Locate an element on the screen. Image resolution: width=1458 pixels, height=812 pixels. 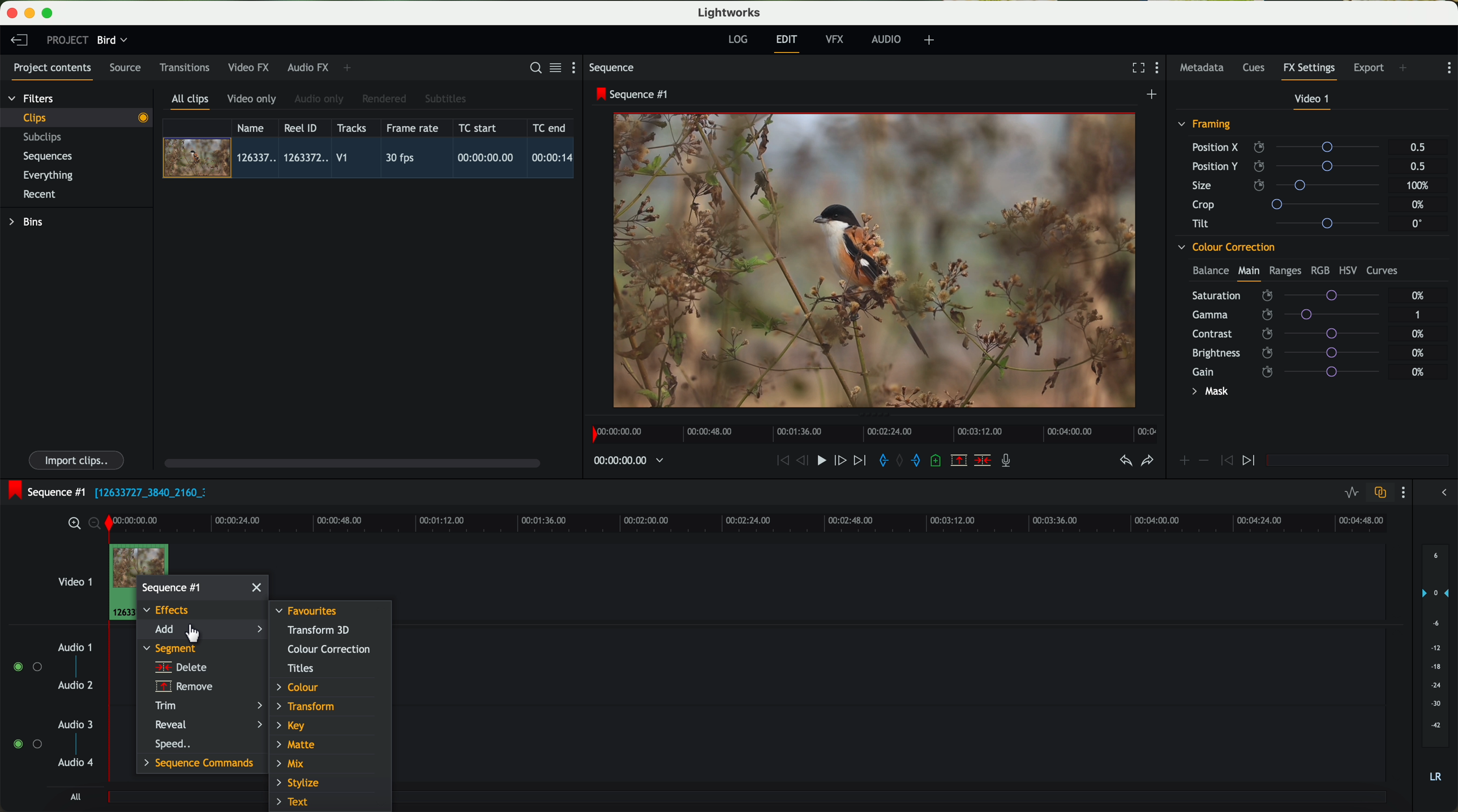
position X is located at coordinates (1290, 147).